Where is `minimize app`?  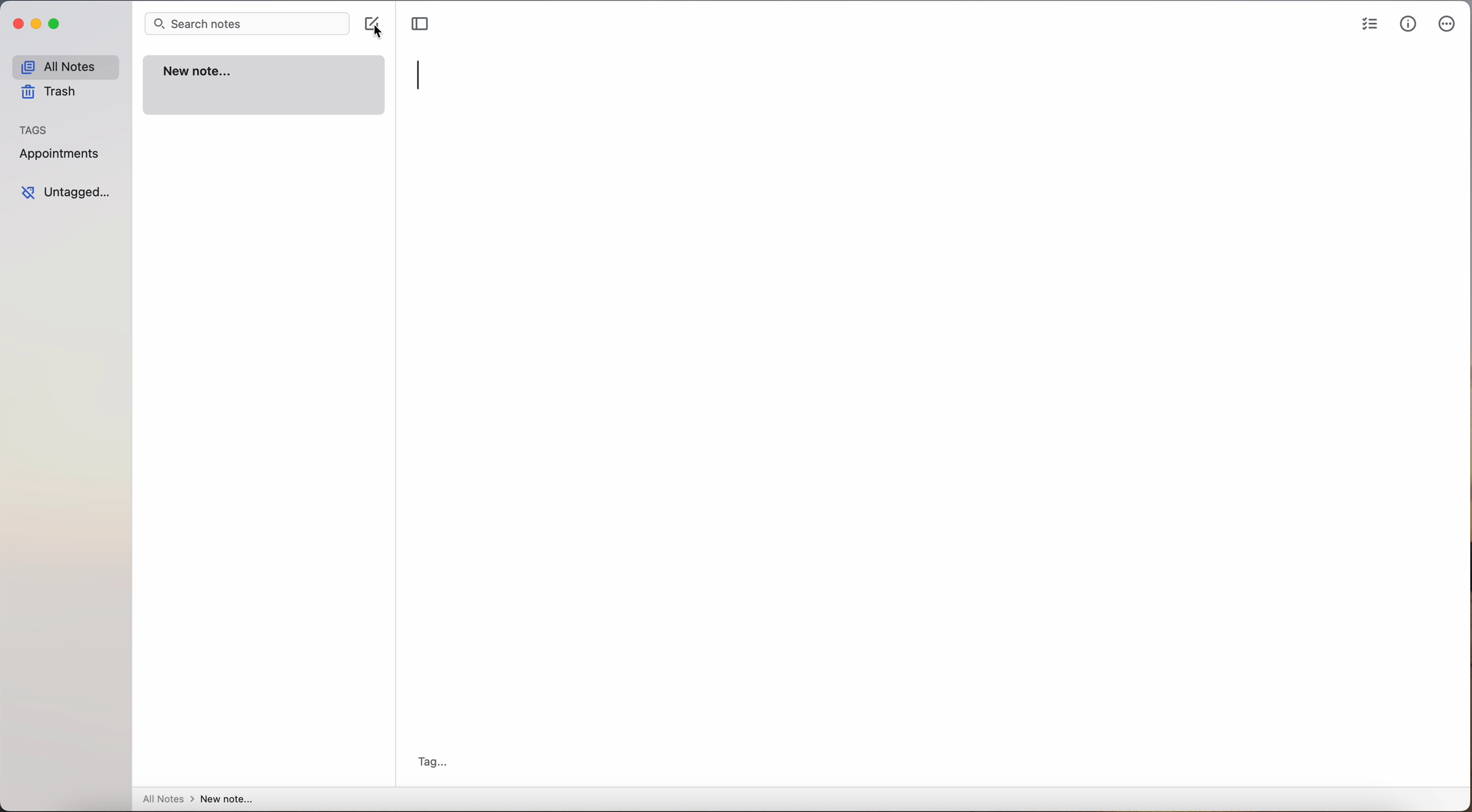 minimize app is located at coordinates (39, 26).